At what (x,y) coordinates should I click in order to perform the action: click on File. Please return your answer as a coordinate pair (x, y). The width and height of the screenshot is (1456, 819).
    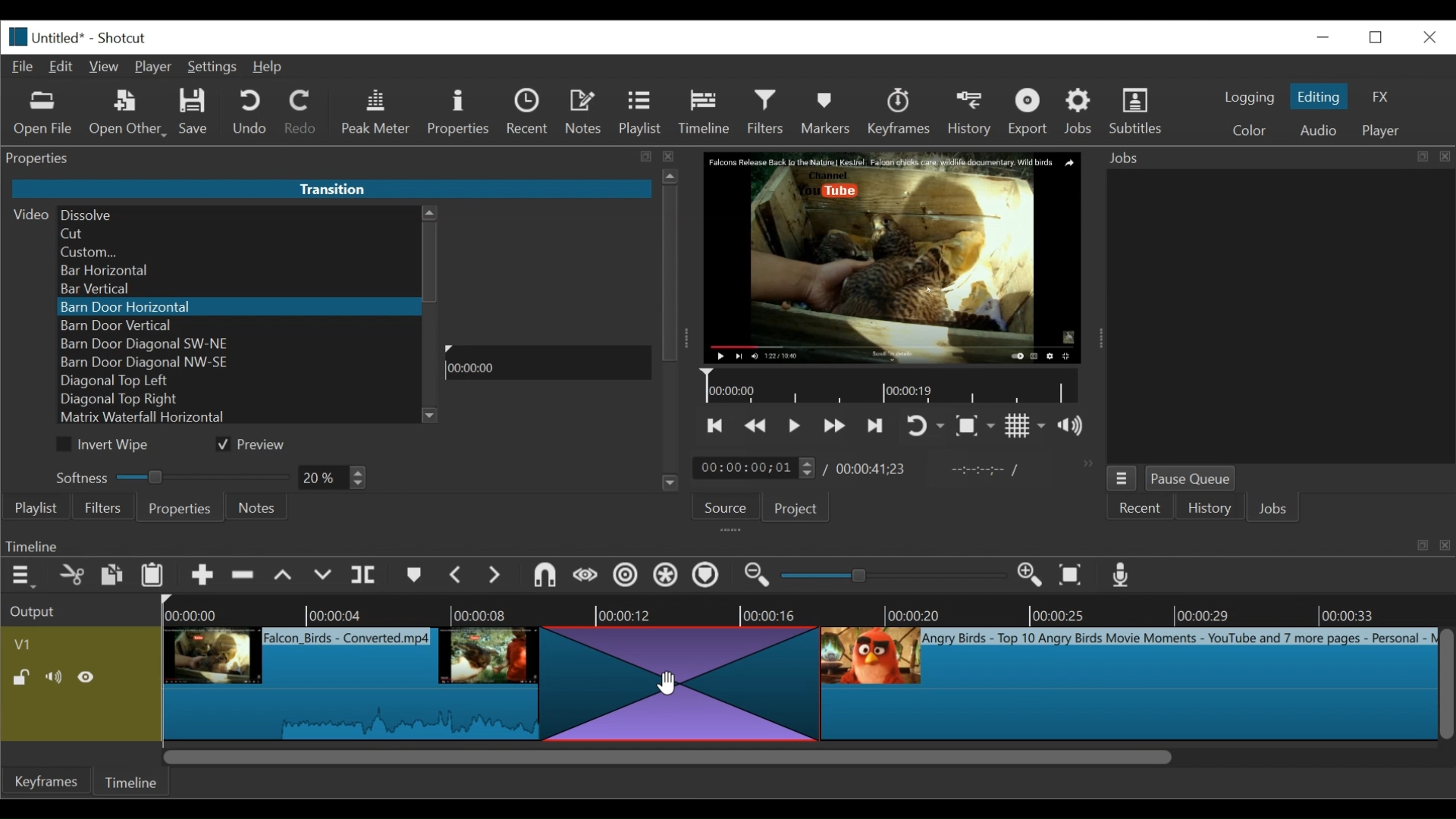
    Looking at the image, I should click on (24, 67).